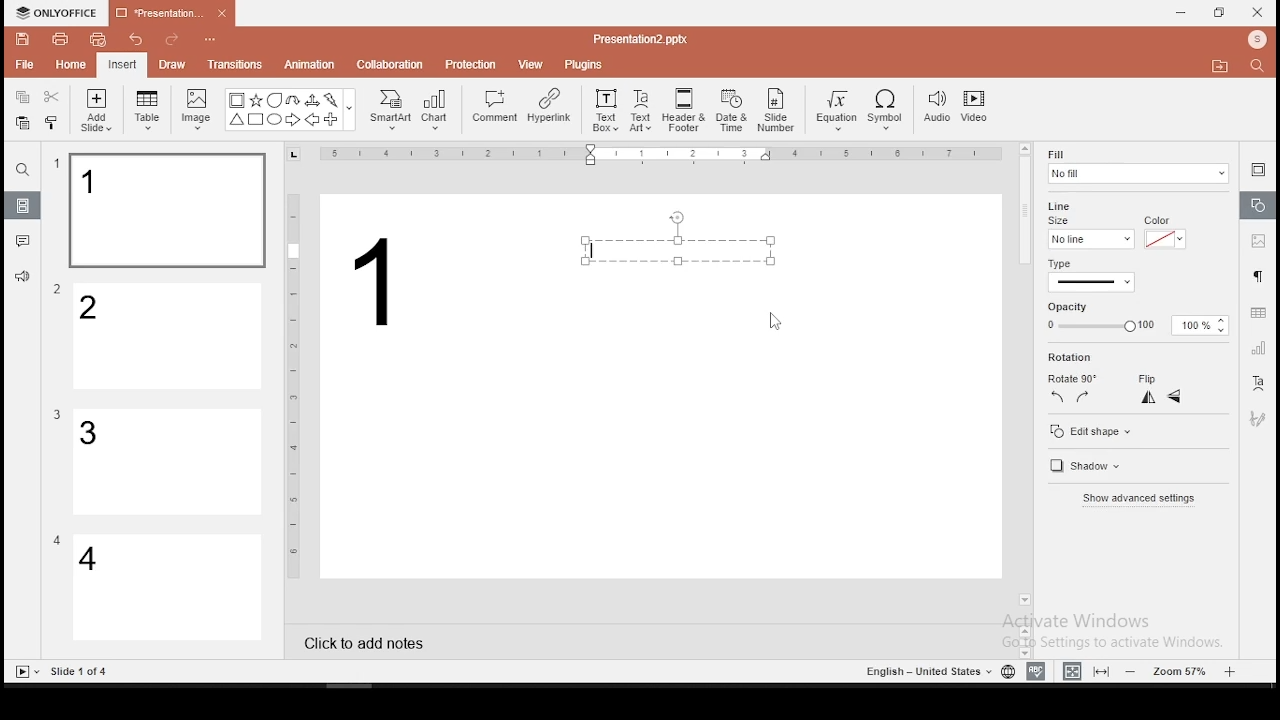  I want to click on zoom level, so click(1183, 670).